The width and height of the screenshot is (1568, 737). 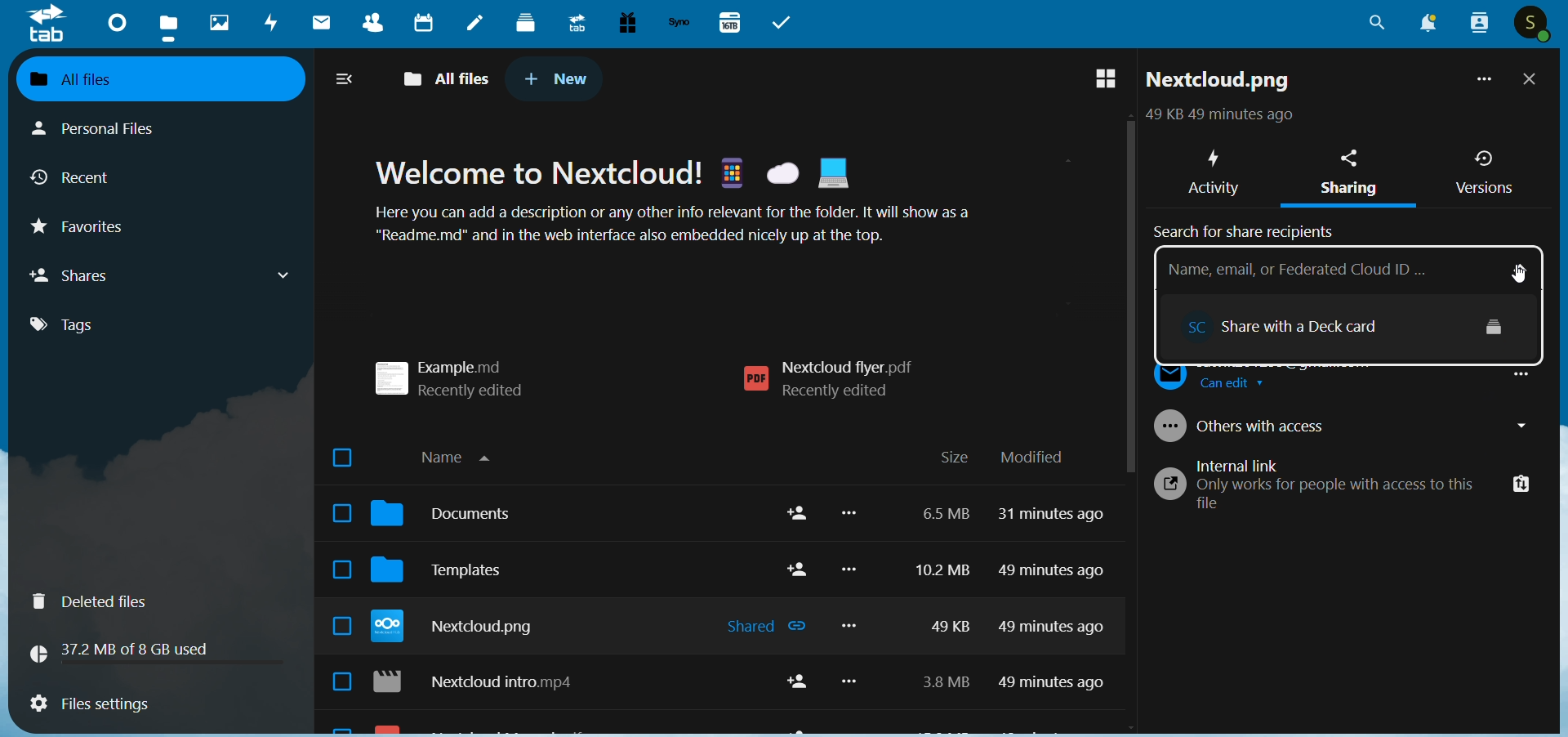 I want to click on share, so click(x=796, y=686).